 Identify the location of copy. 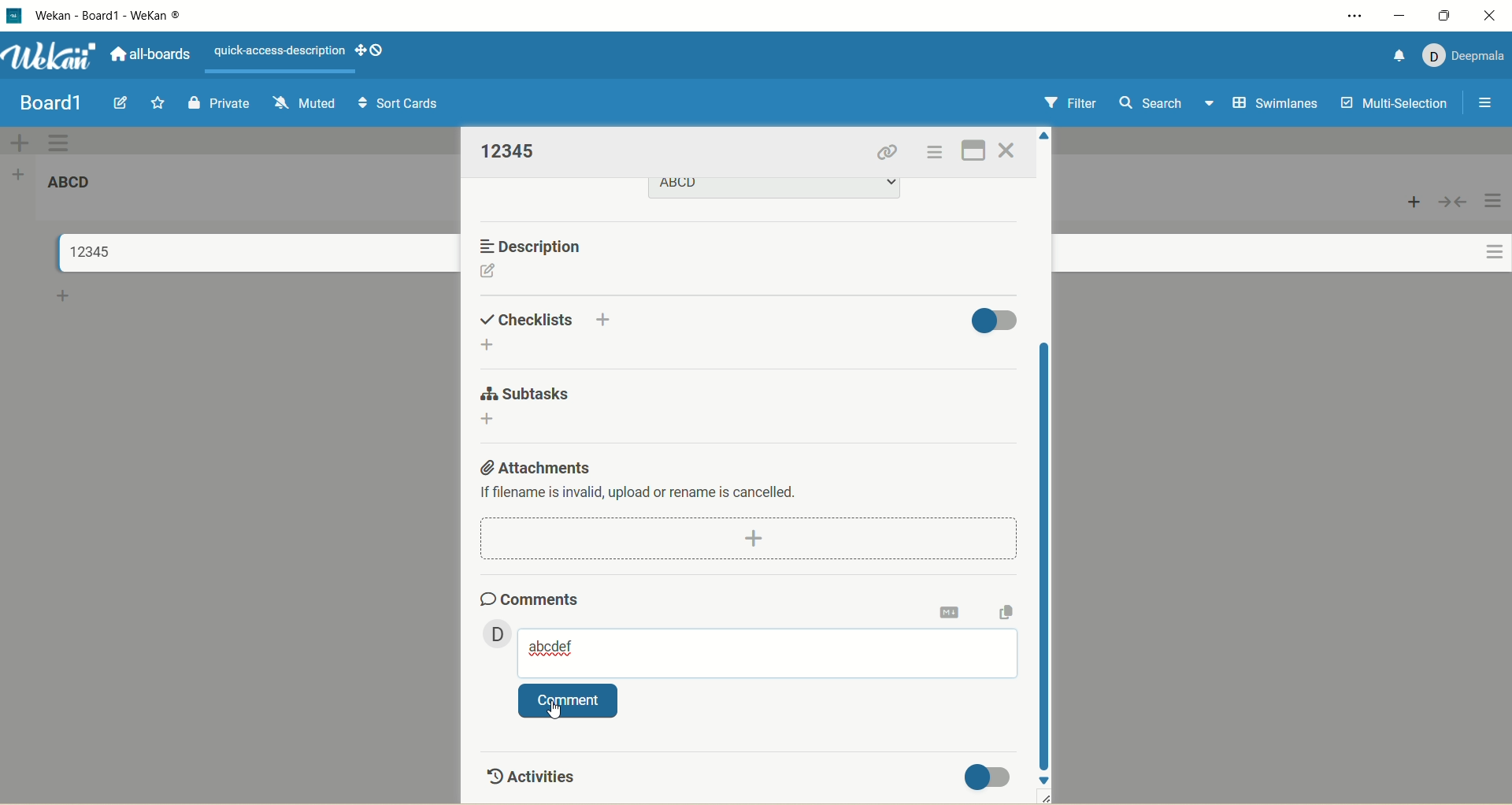
(1007, 611).